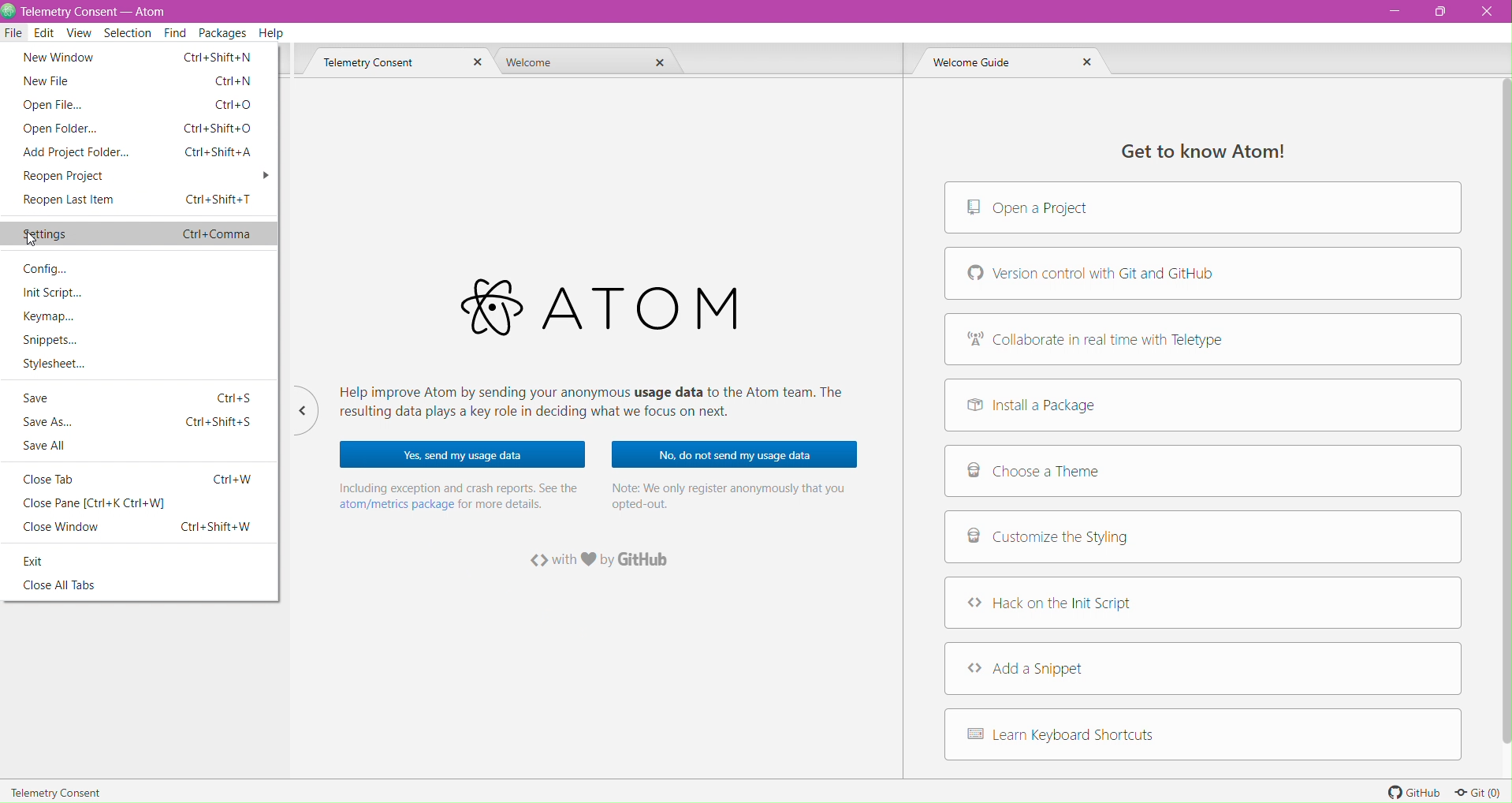  What do you see at coordinates (222, 32) in the screenshot?
I see `Packages` at bounding box center [222, 32].